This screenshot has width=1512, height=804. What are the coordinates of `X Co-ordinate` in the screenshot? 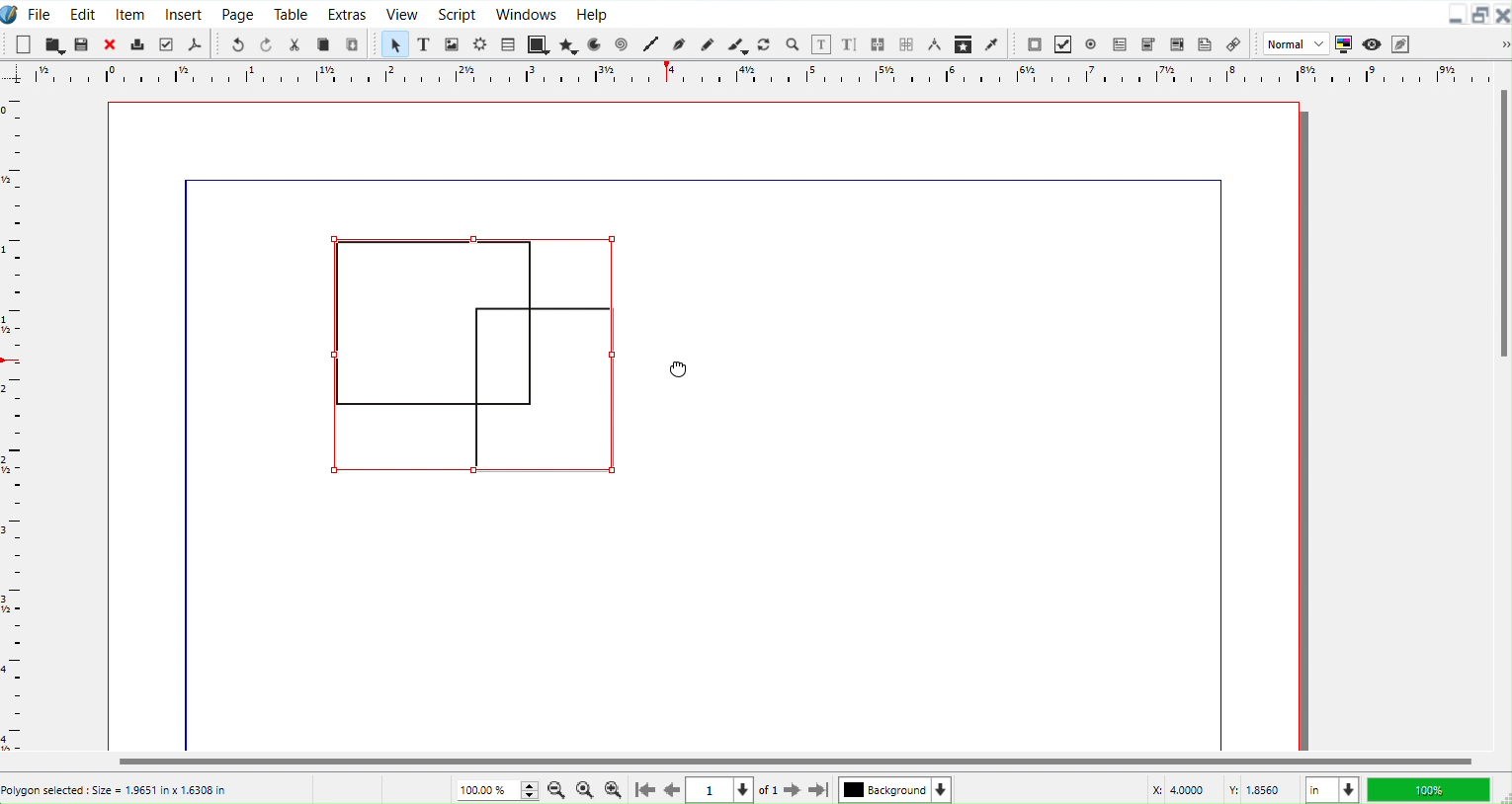 It's located at (1178, 789).